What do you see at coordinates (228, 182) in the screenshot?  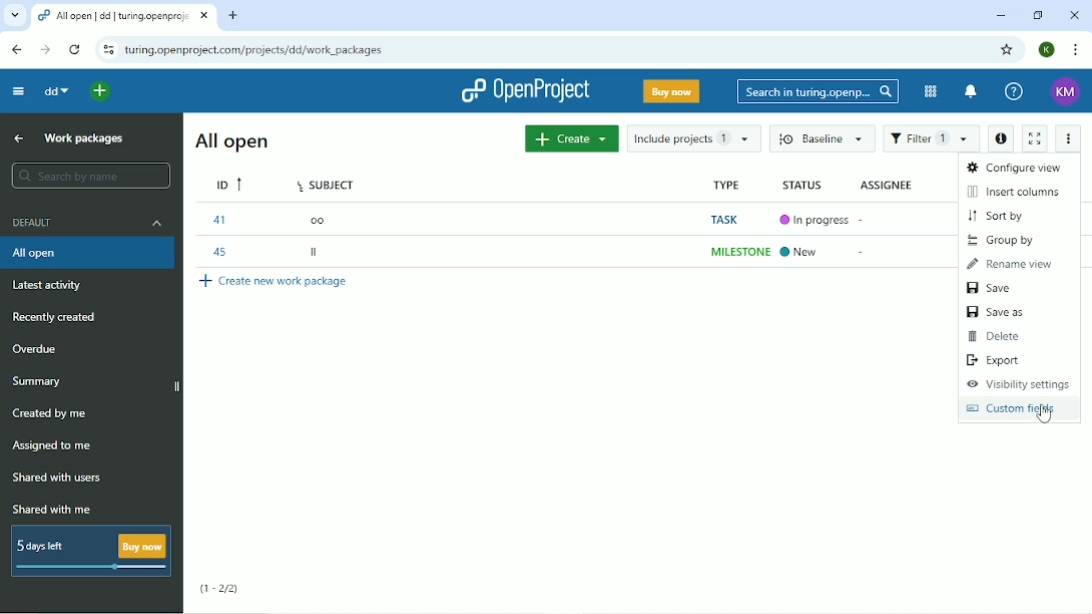 I see `ID 41 45` at bounding box center [228, 182].